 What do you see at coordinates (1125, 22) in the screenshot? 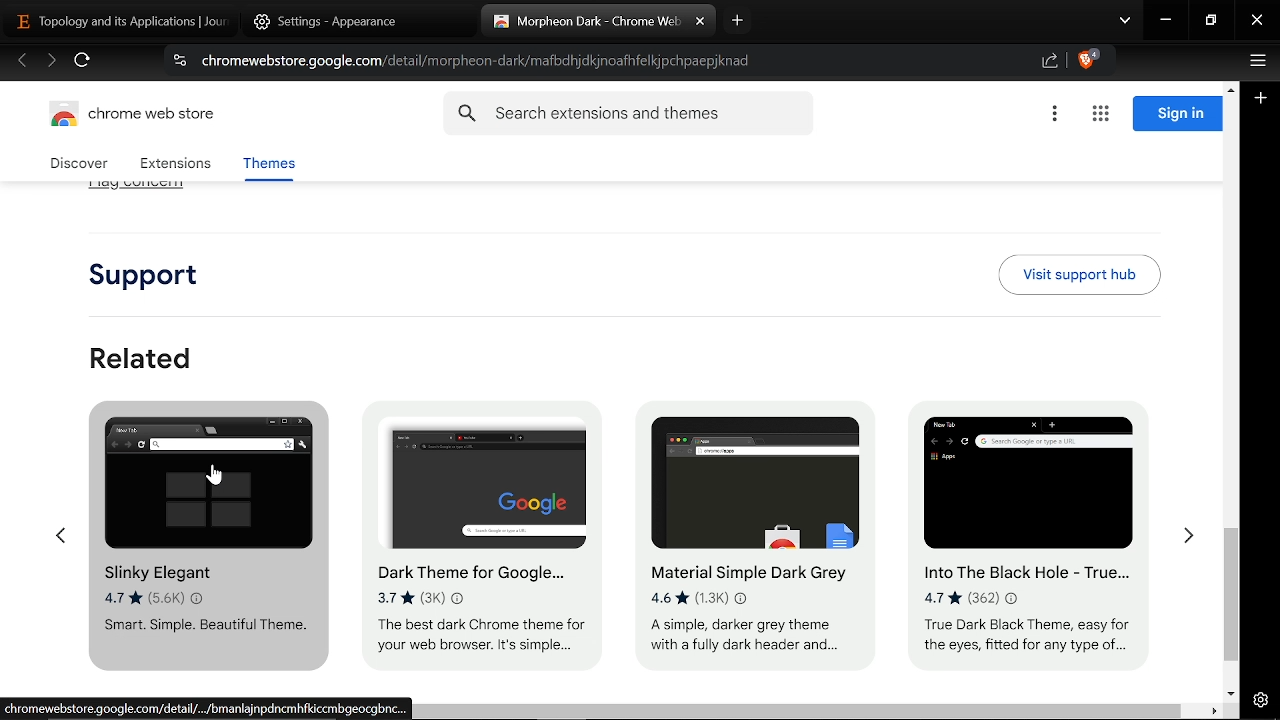
I see `Search tabs` at bounding box center [1125, 22].